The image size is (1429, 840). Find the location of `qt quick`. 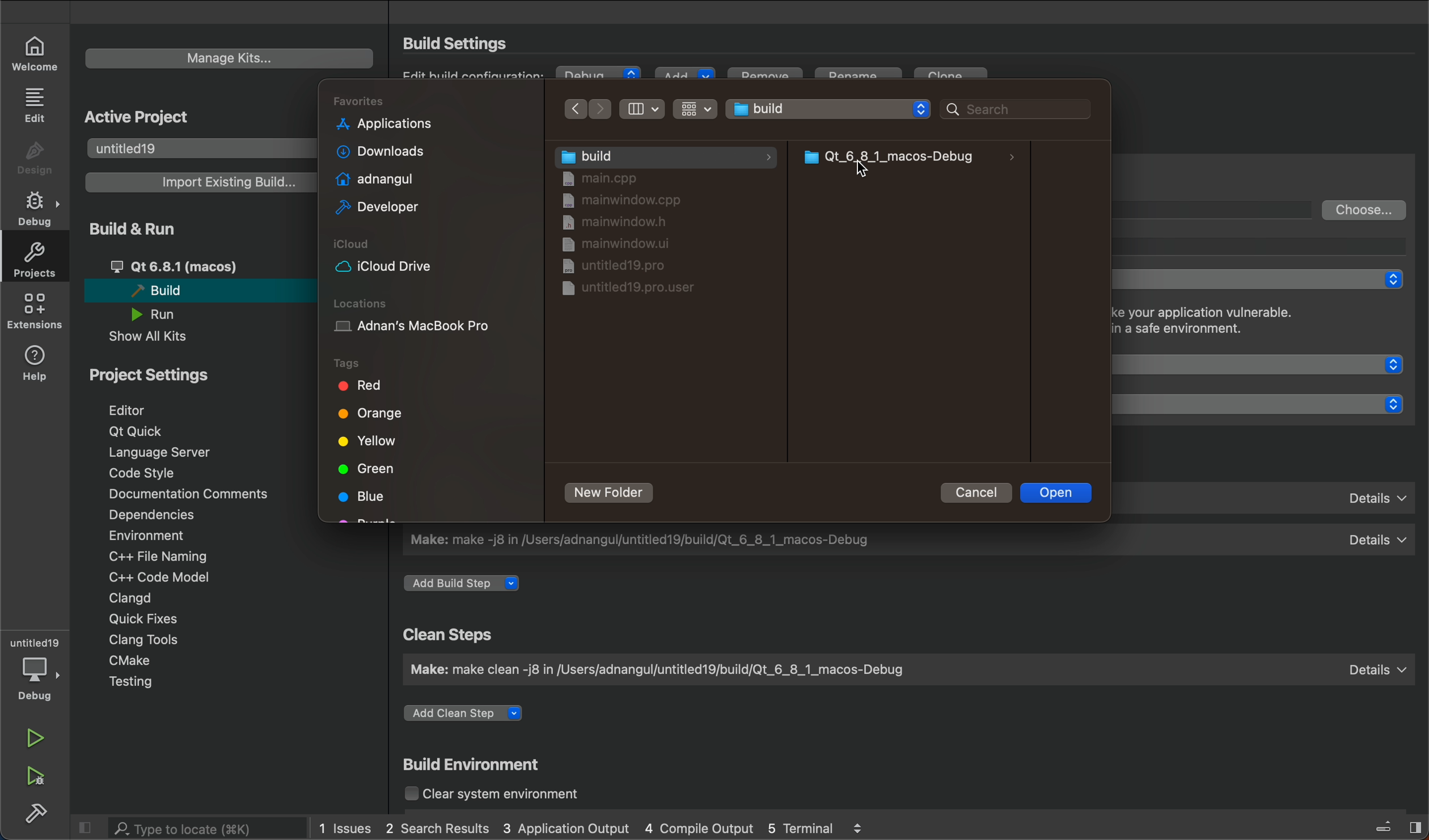

qt quick is located at coordinates (1269, 364).